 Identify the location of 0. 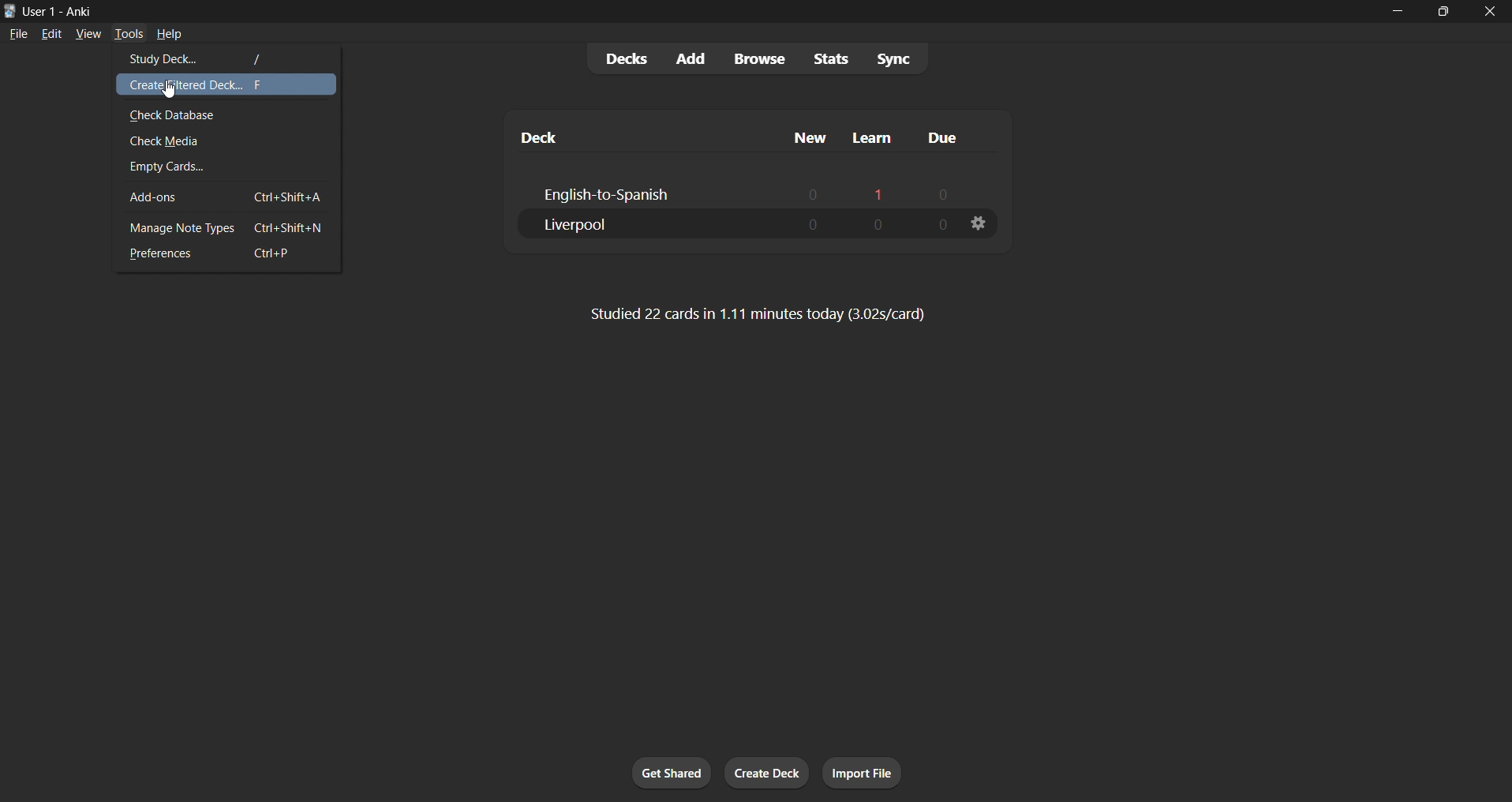
(937, 225).